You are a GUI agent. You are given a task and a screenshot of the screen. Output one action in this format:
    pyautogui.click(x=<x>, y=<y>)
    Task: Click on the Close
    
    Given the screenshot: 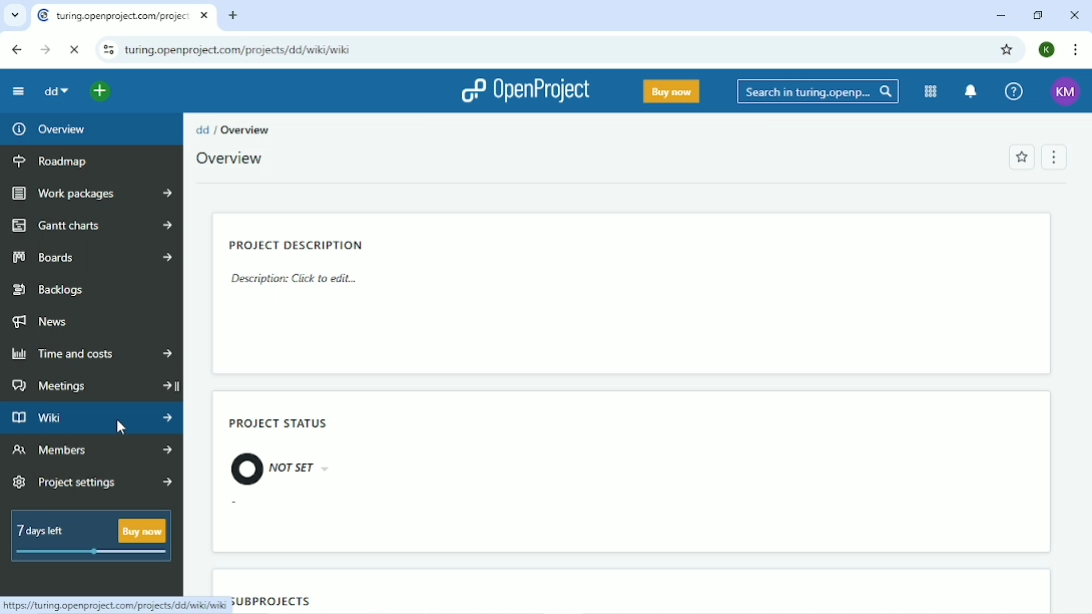 What is the action you would take?
    pyautogui.click(x=1072, y=15)
    